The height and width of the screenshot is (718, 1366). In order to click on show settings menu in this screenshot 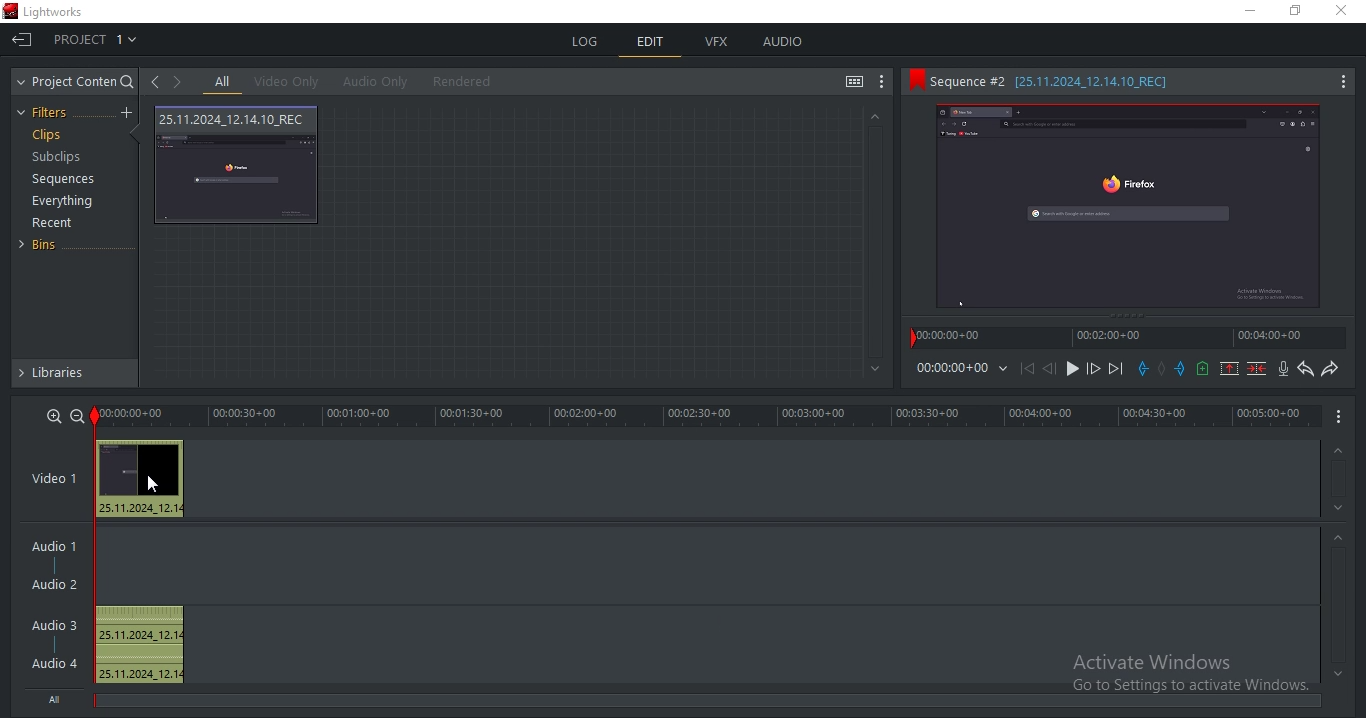, I will do `click(884, 82)`.